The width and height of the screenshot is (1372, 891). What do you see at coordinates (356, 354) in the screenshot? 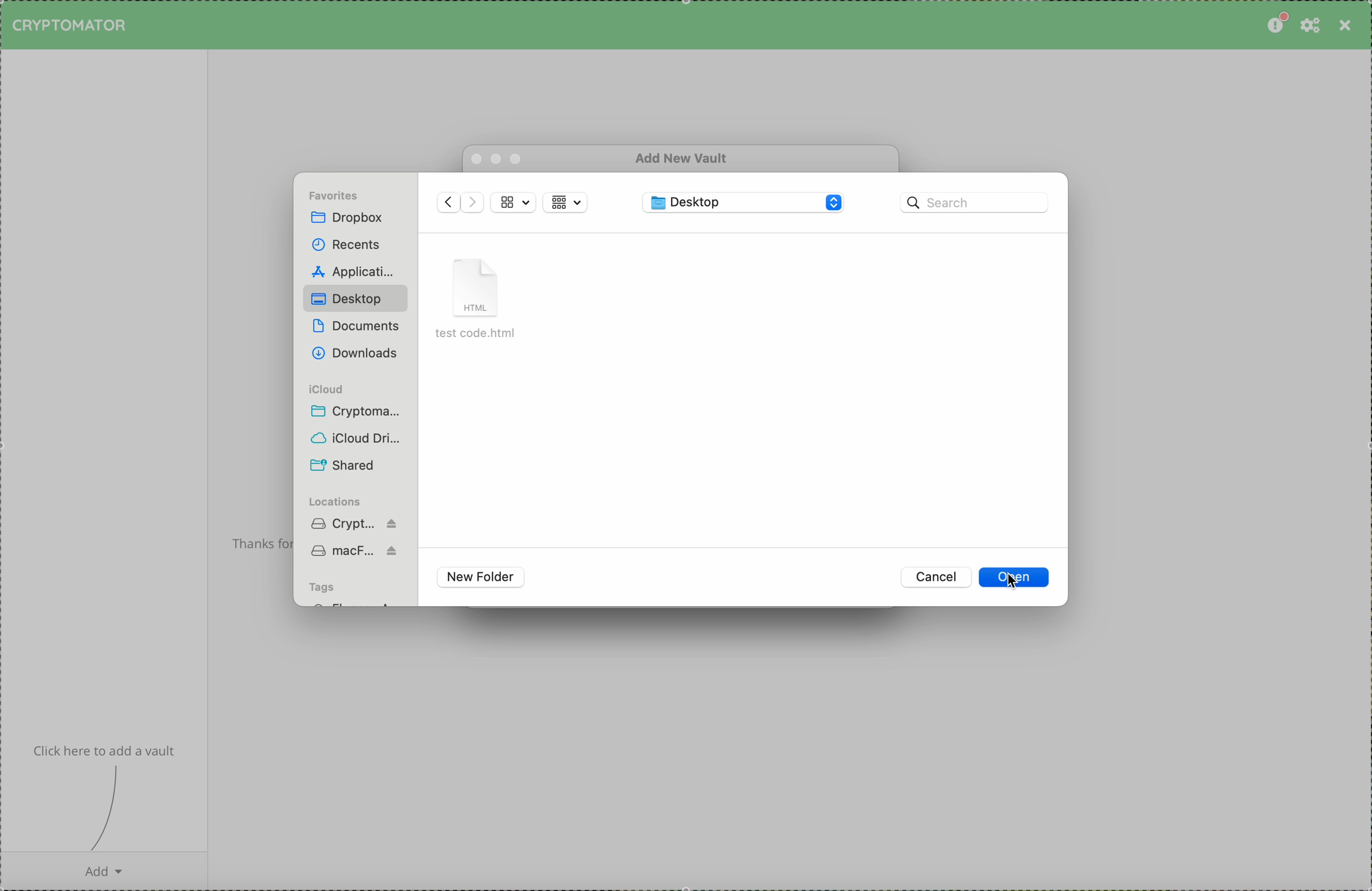
I see `downloads` at bounding box center [356, 354].